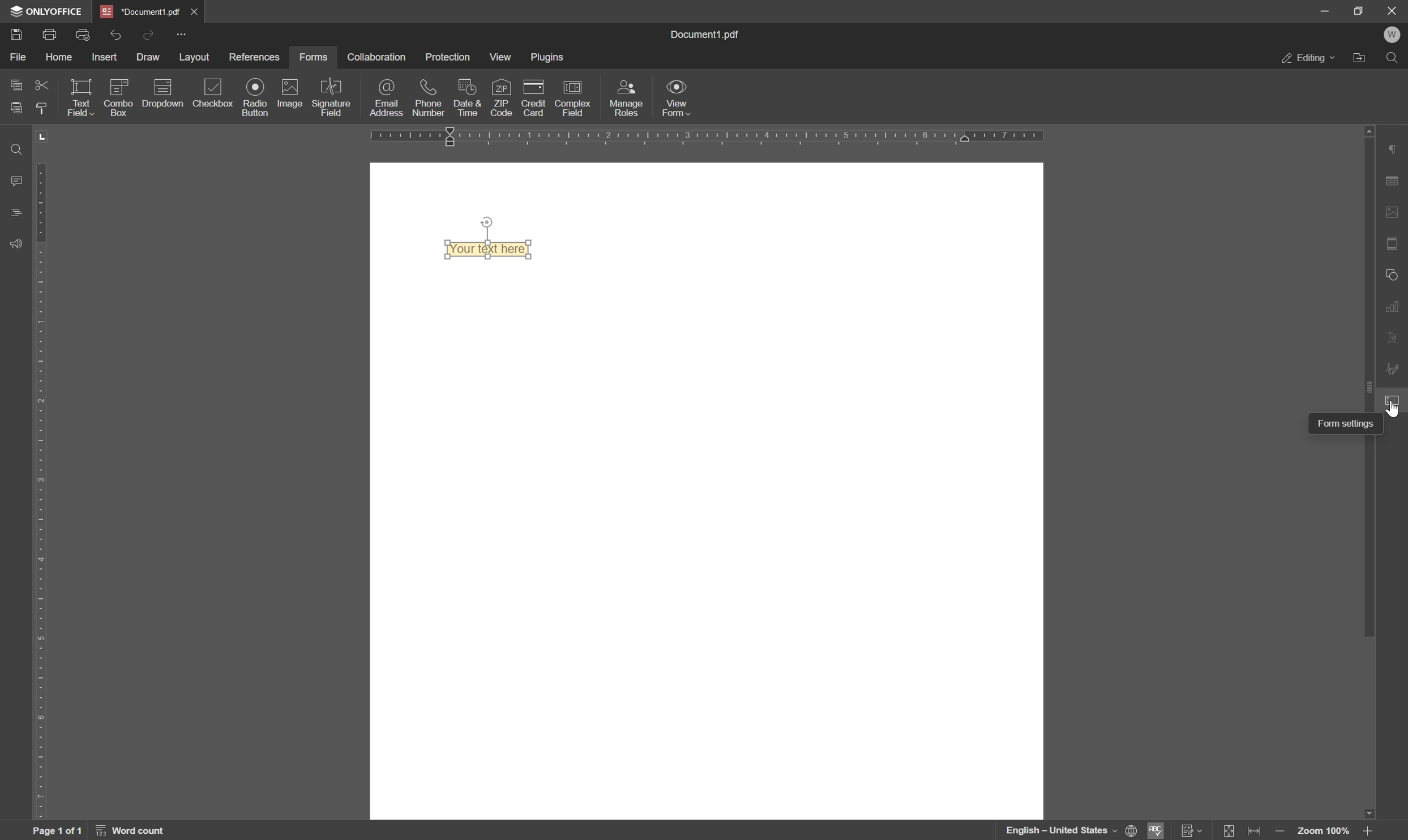 This screenshot has width=1408, height=840. I want to click on ruler, so click(41, 490).